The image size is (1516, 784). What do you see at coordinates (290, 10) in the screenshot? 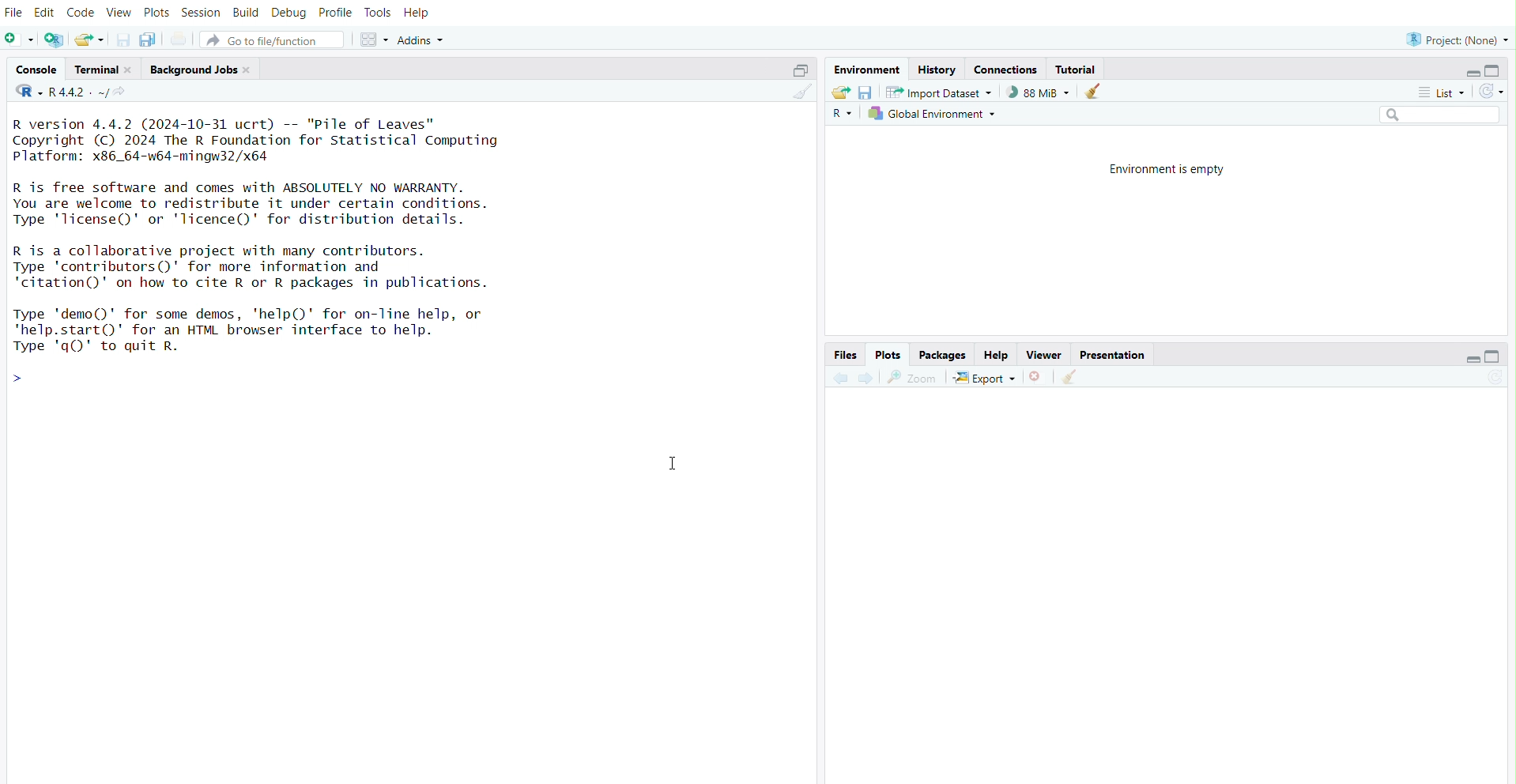
I see `debug` at bounding box center [290, 10].